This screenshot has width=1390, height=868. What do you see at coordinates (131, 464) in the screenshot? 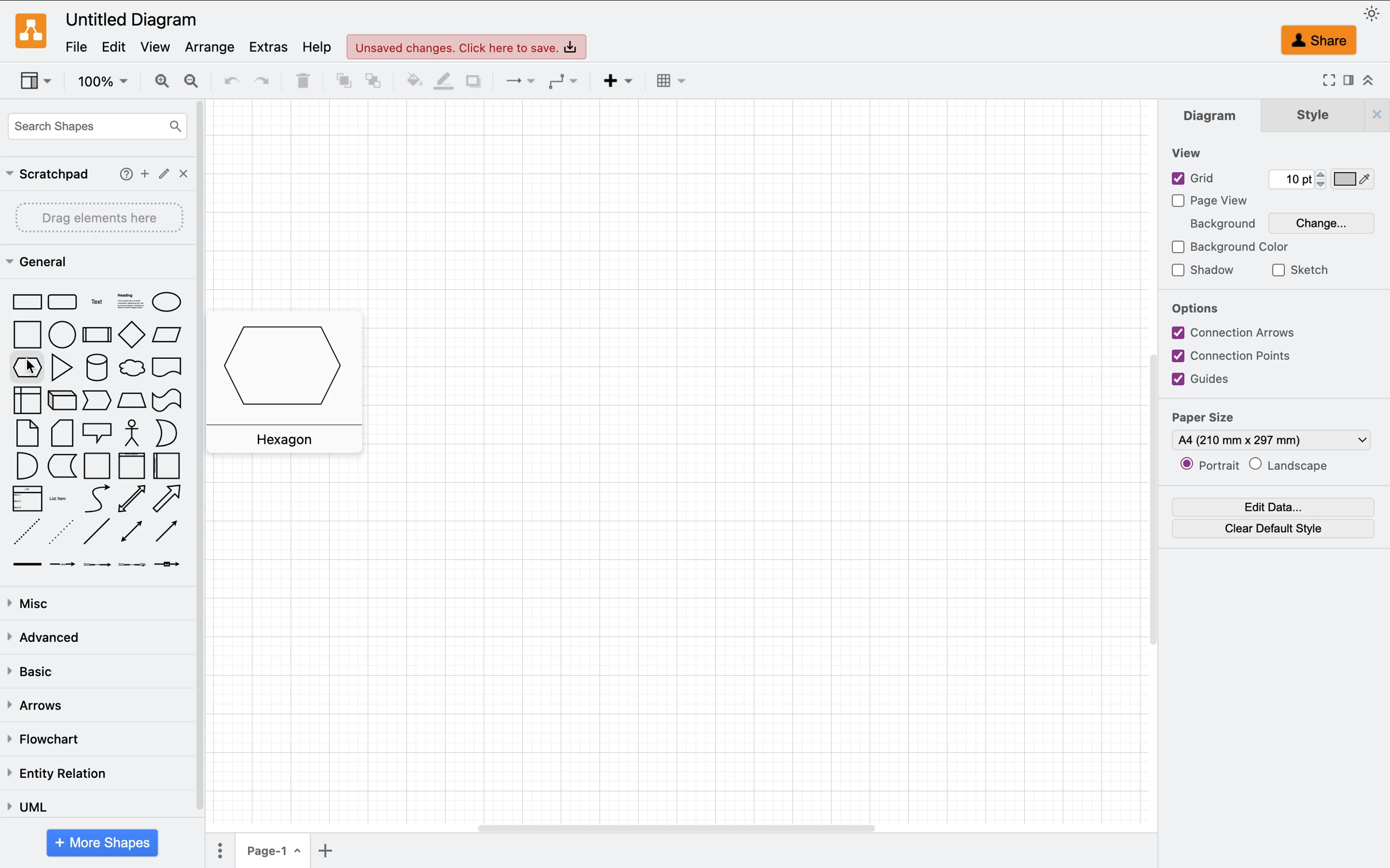
I see `vertical container` at bounding box center [131, 464].